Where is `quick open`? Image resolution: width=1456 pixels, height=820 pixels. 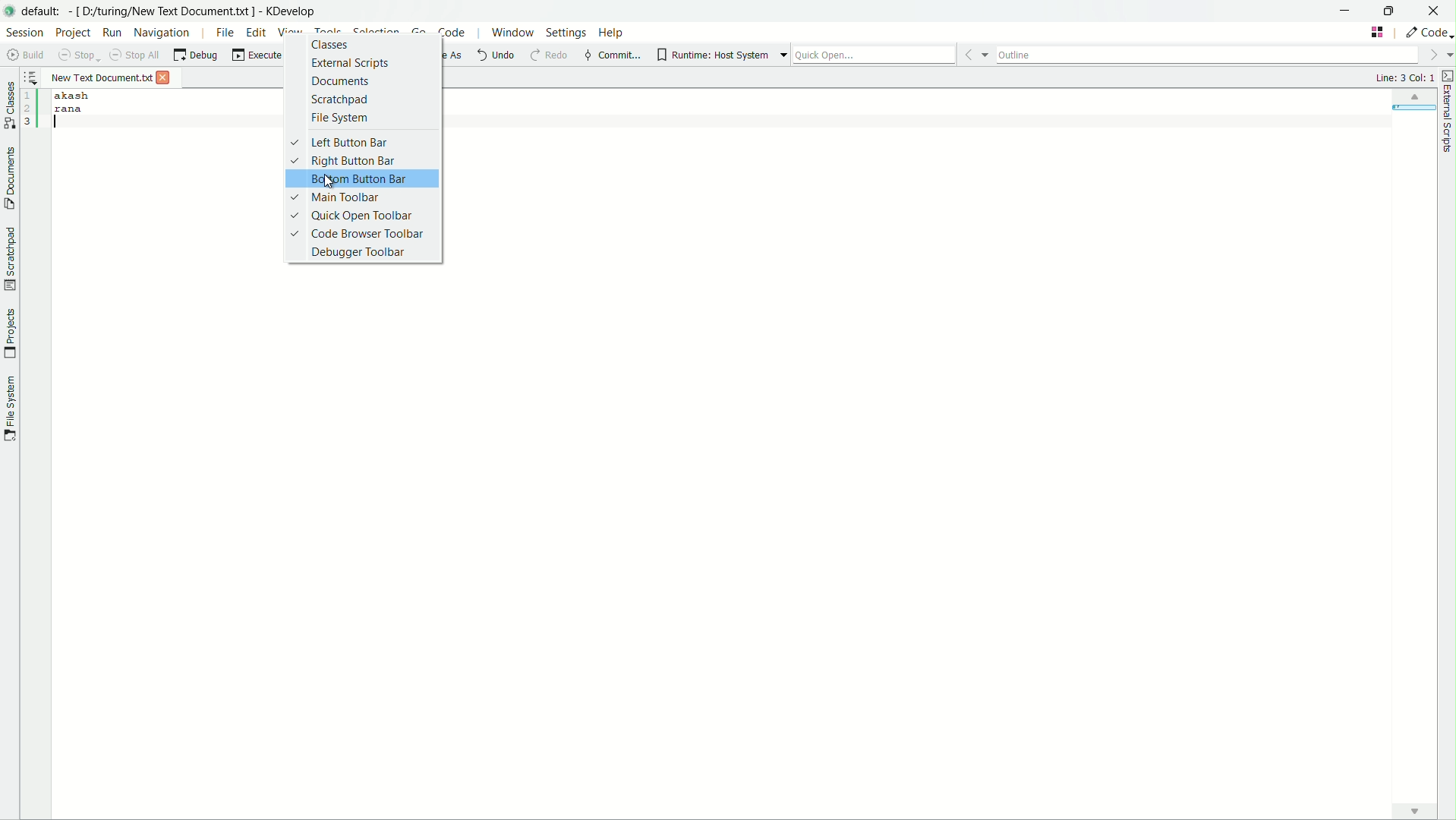
quick open is located at coordinates (873, 53).